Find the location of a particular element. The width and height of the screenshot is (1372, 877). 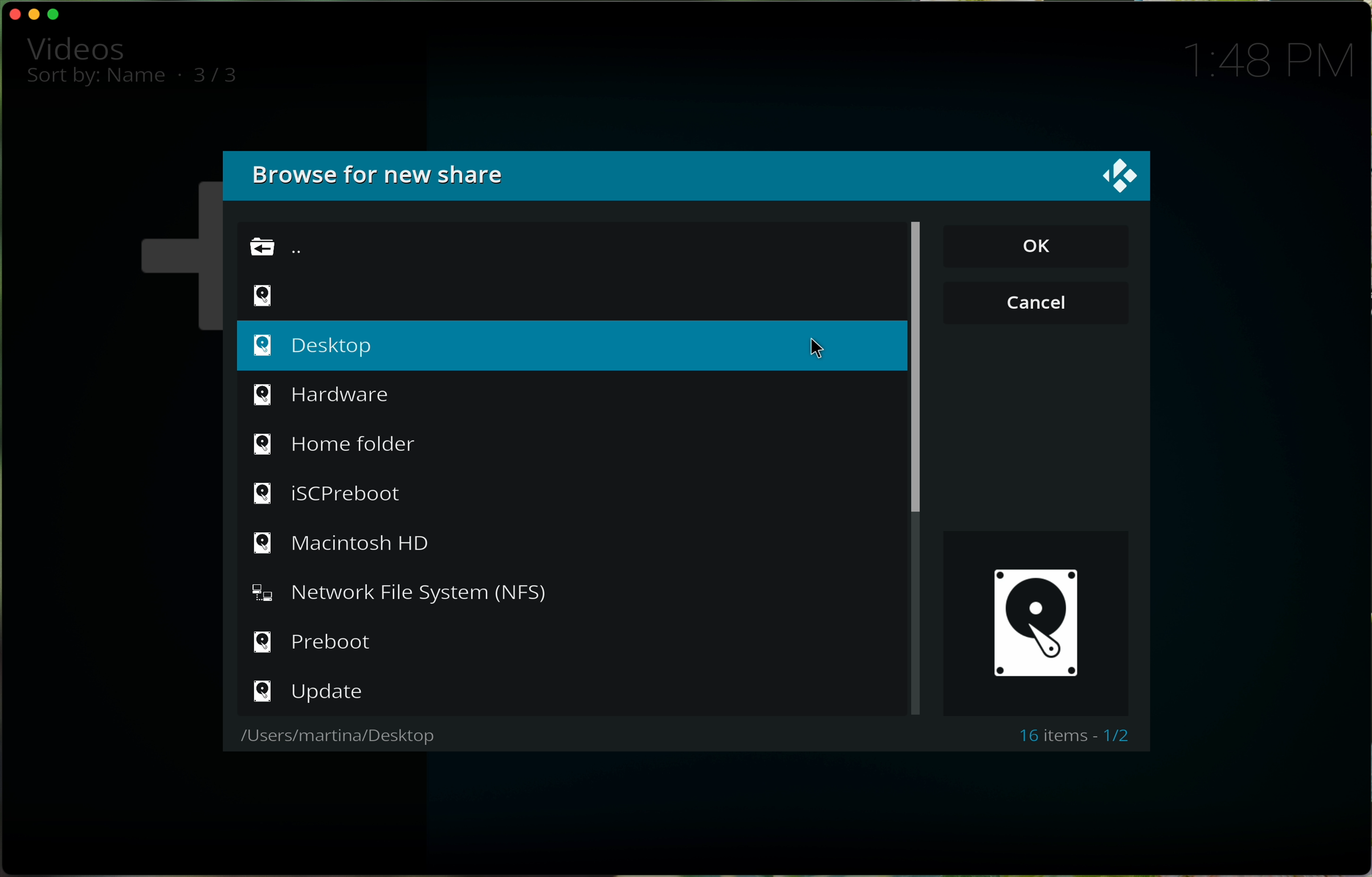

sort by name is located at coordinates (97, 80).